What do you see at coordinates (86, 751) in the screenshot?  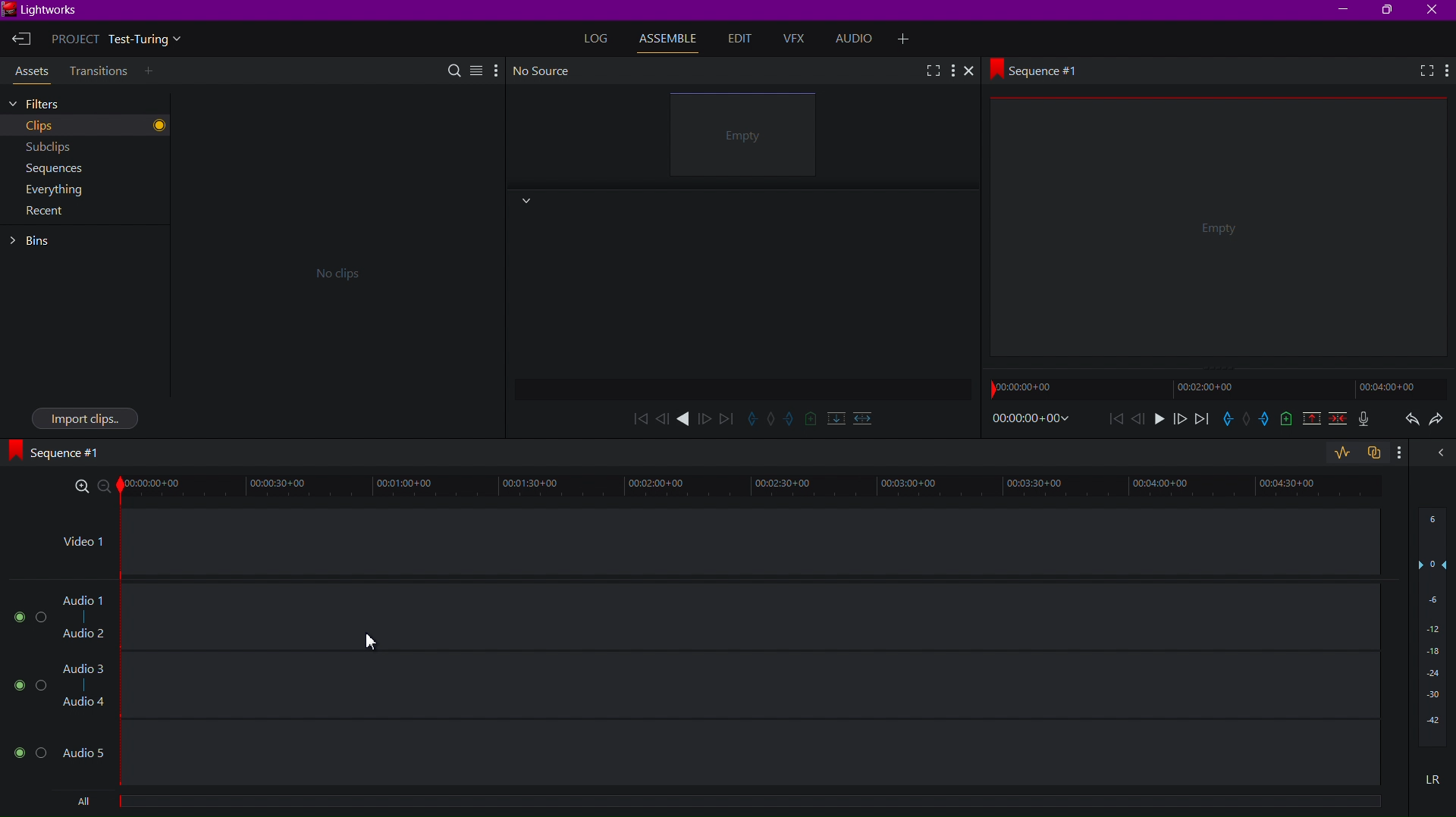 I see `Audio 5` at bounding box center [86, 751].